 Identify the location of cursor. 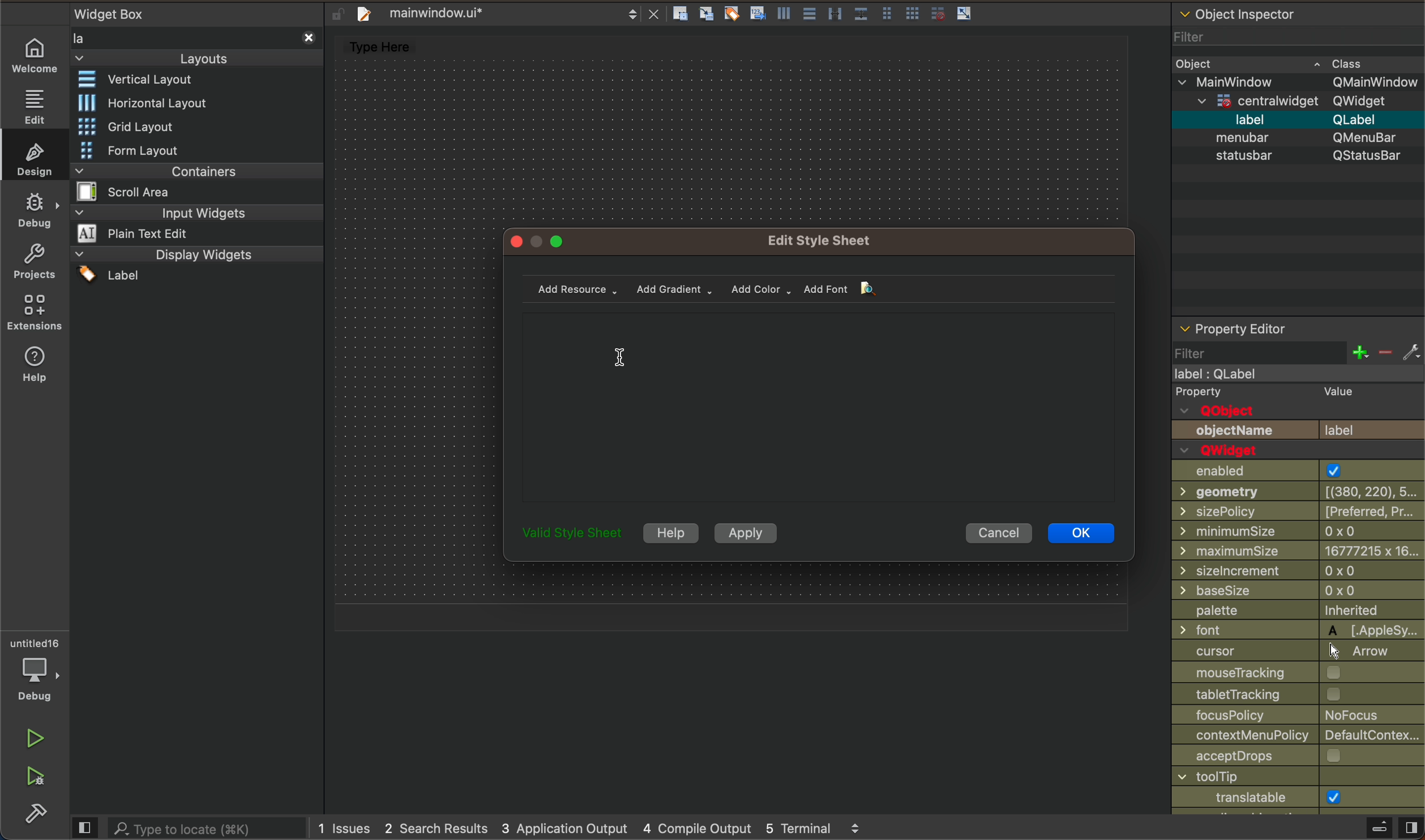
(621, 354).